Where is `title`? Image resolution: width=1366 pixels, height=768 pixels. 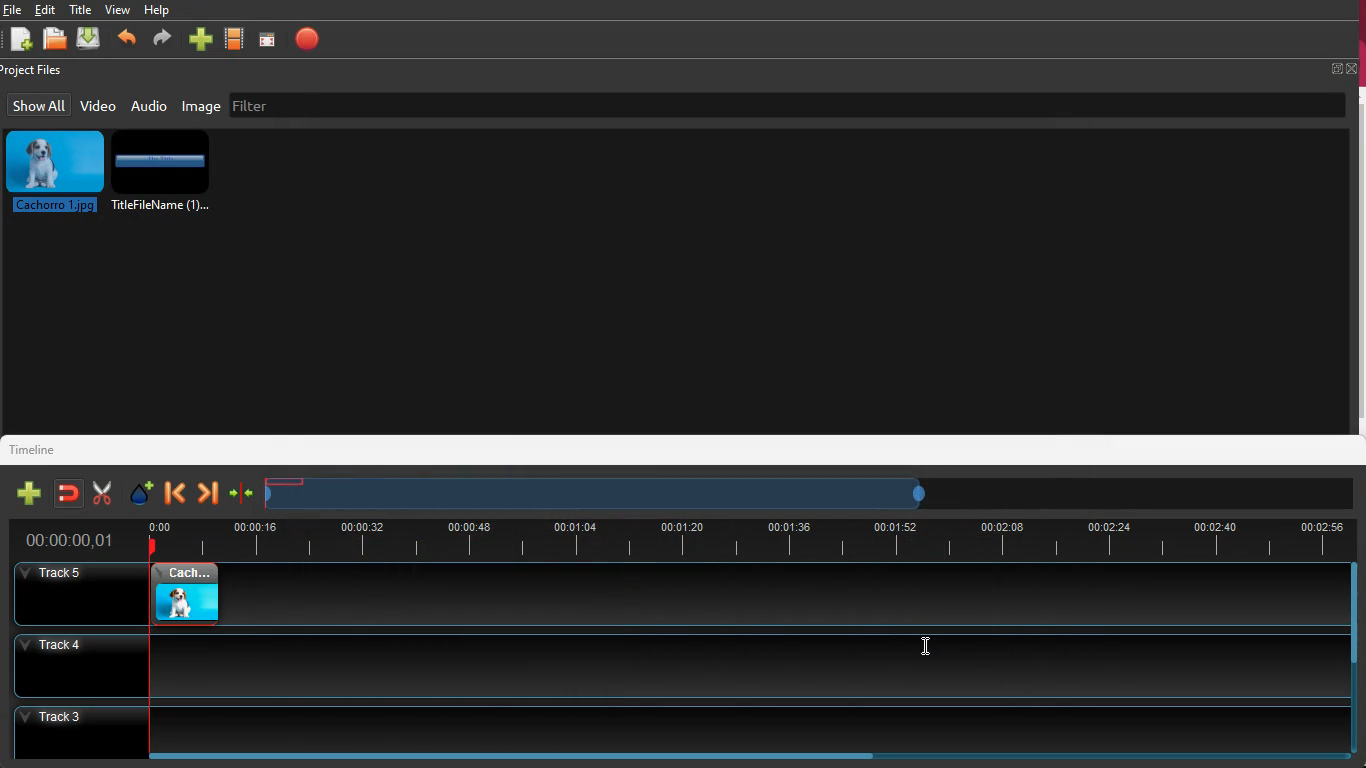 title is located at coordinates (83, 9).